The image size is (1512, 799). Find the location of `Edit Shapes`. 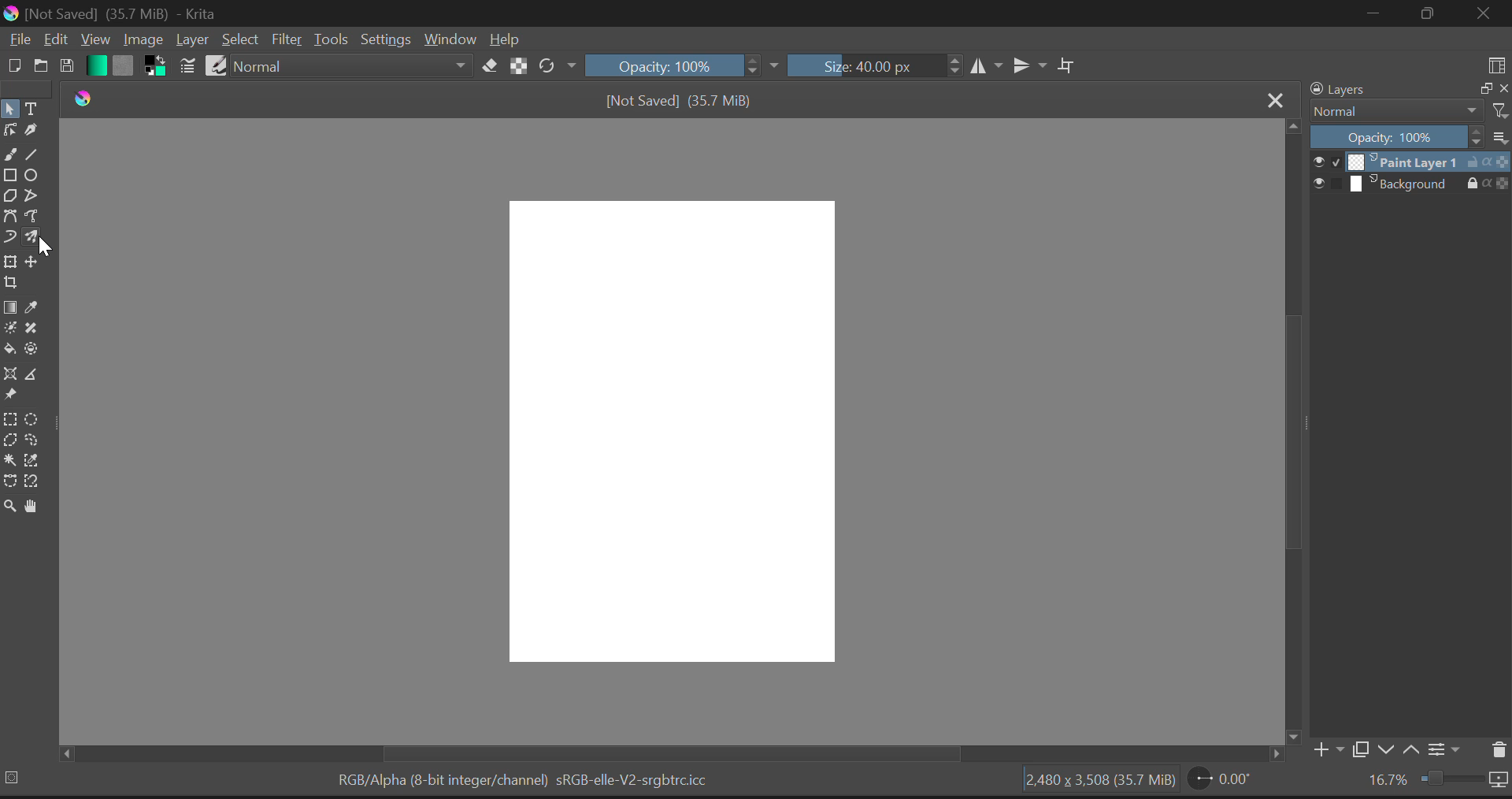

Edit Shapes is located at coordinates (10, 130).